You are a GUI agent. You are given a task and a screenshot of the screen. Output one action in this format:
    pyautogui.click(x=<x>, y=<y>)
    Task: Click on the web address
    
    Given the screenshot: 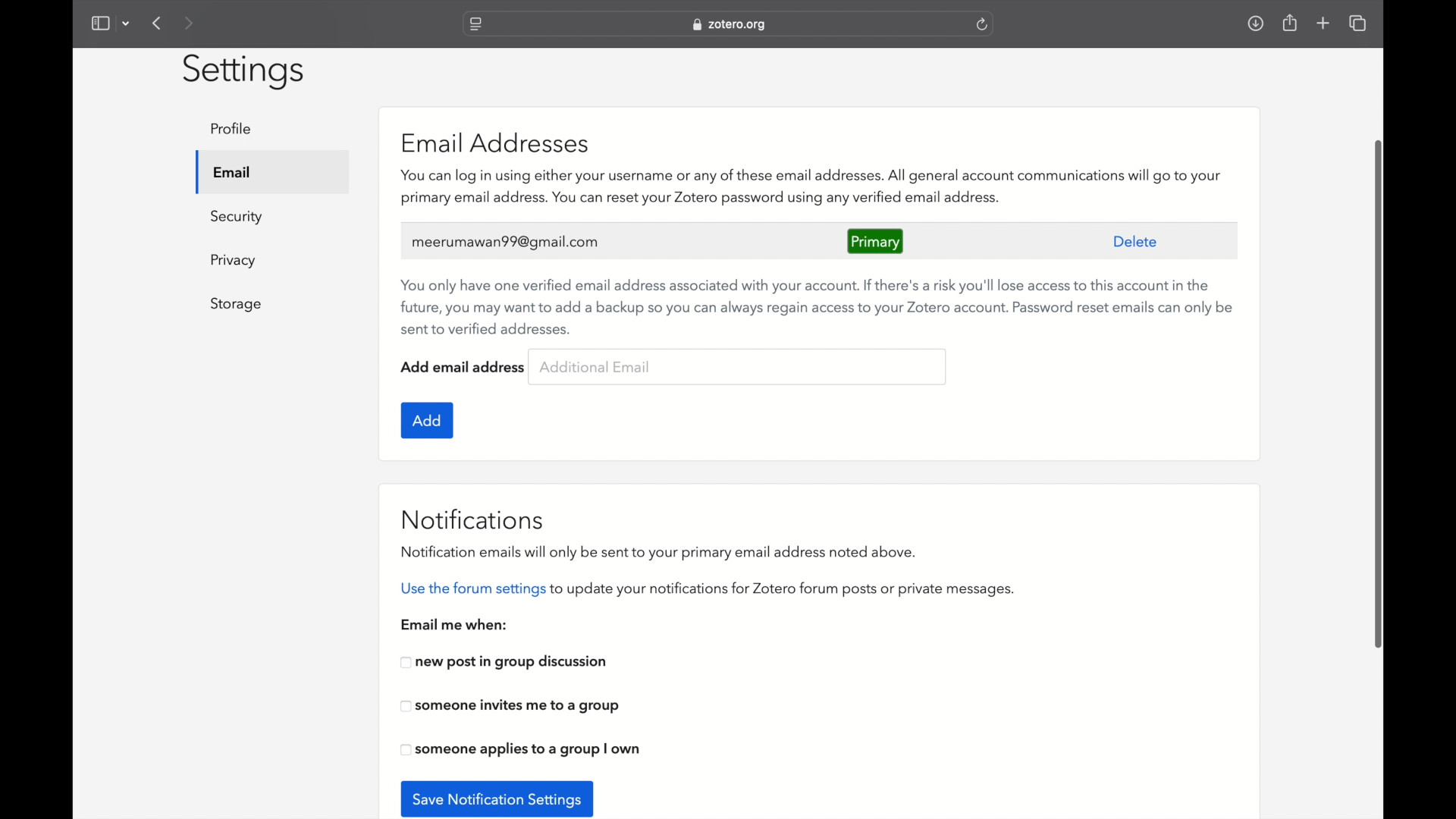 What is the action you would take?
    pyautogui.click(x=731, y=26)
    